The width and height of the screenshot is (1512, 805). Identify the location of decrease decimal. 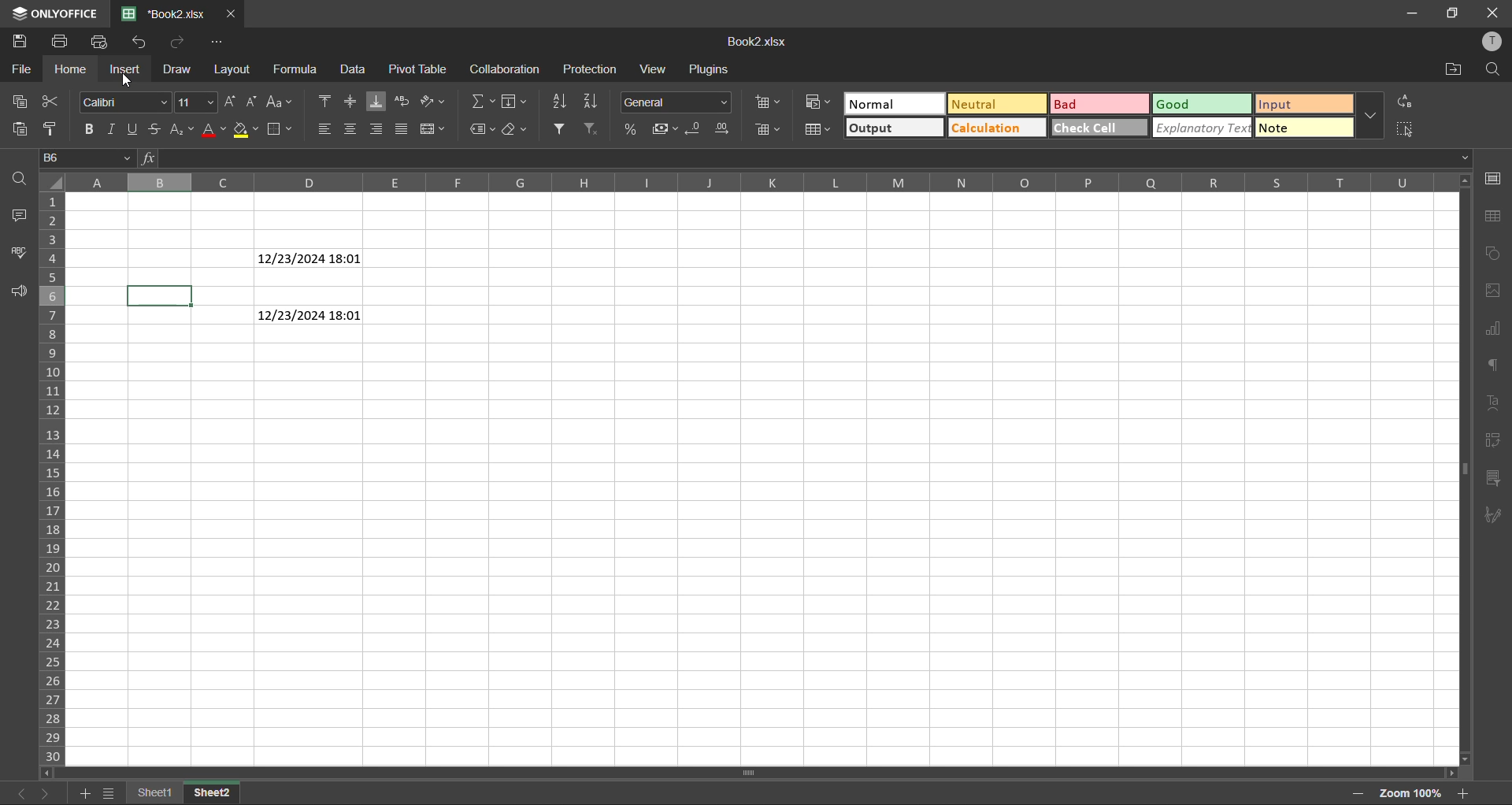
(697, 129).